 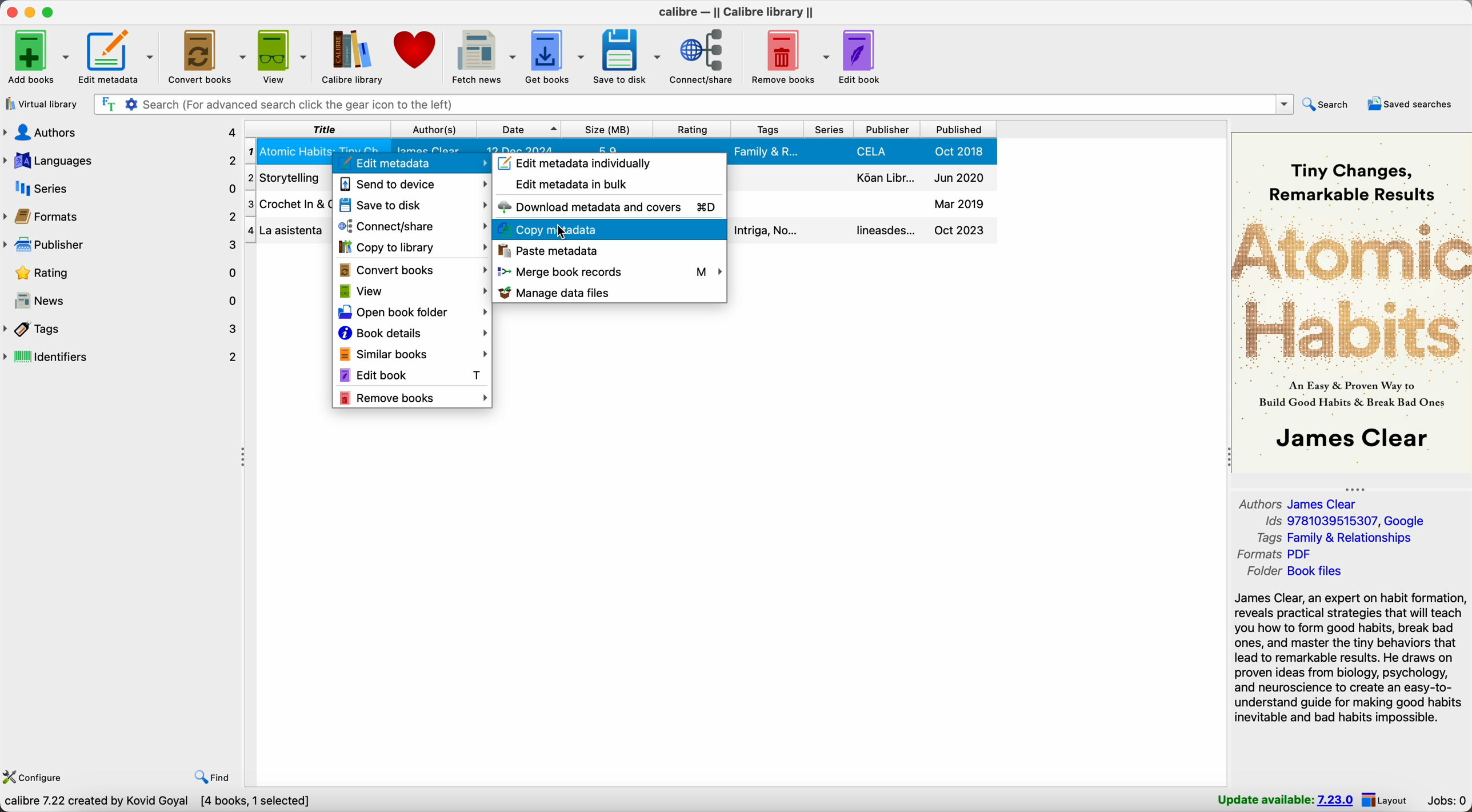 What do you see at coordinates (863, 230) in the screenshot?
I see `la asistenta book details` at bounding box center [863, 230].